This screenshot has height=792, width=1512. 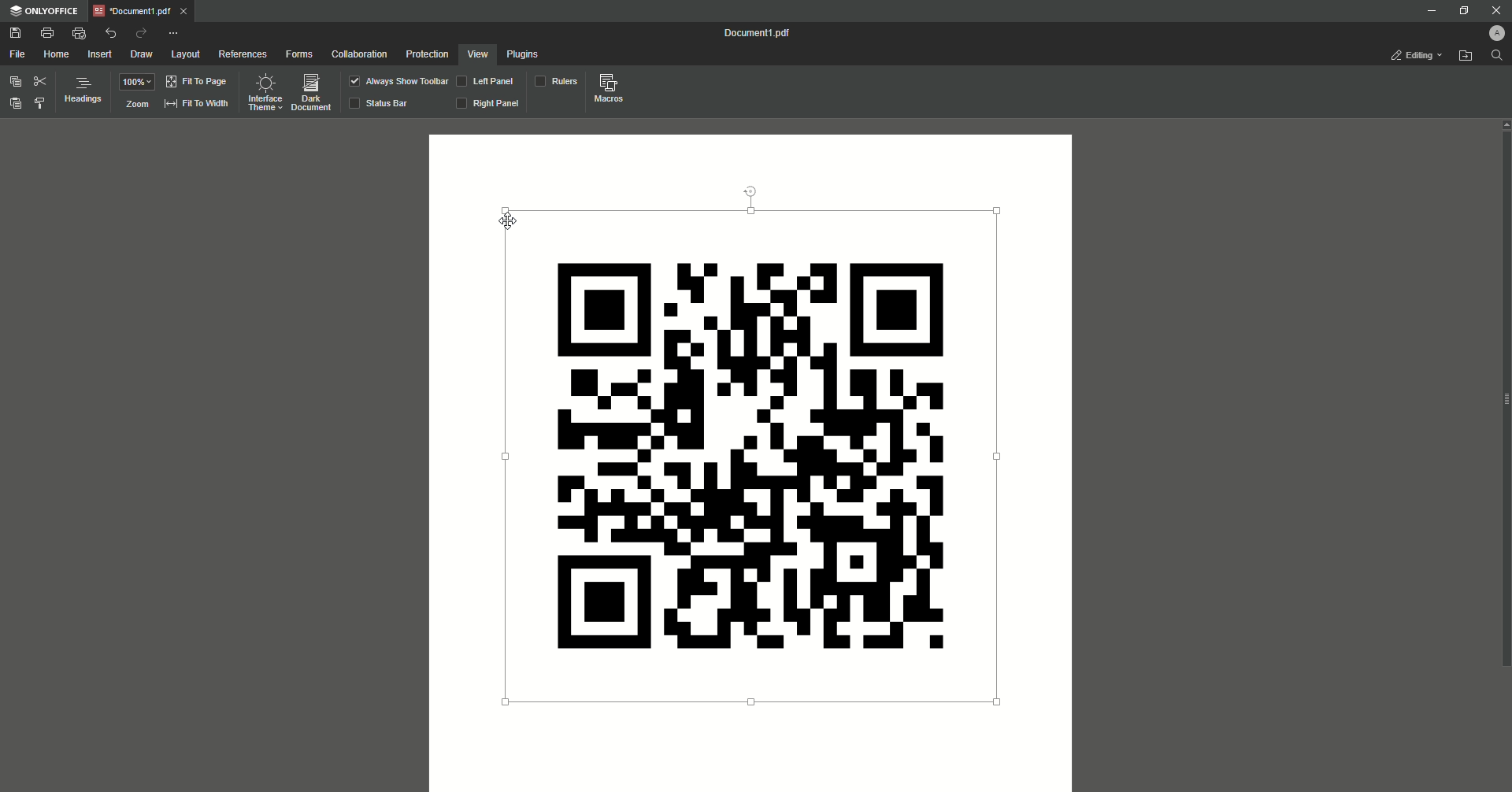 I want to click on Left Panel, so click(x=487, y=81).